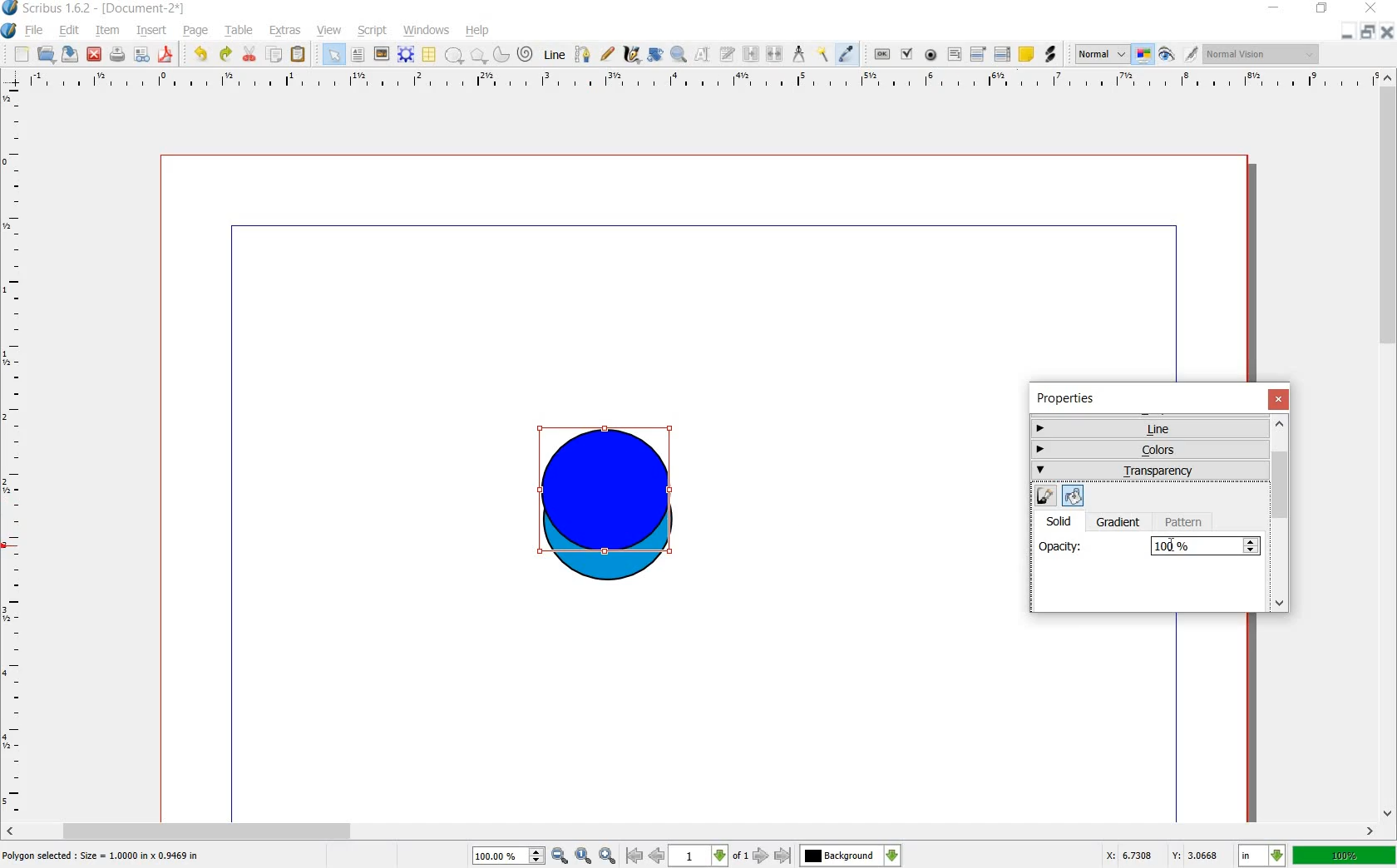  What do you see at coordinates (1194, 546) in the screenshot?
I see `100%` at bounding box center [1194, 546].